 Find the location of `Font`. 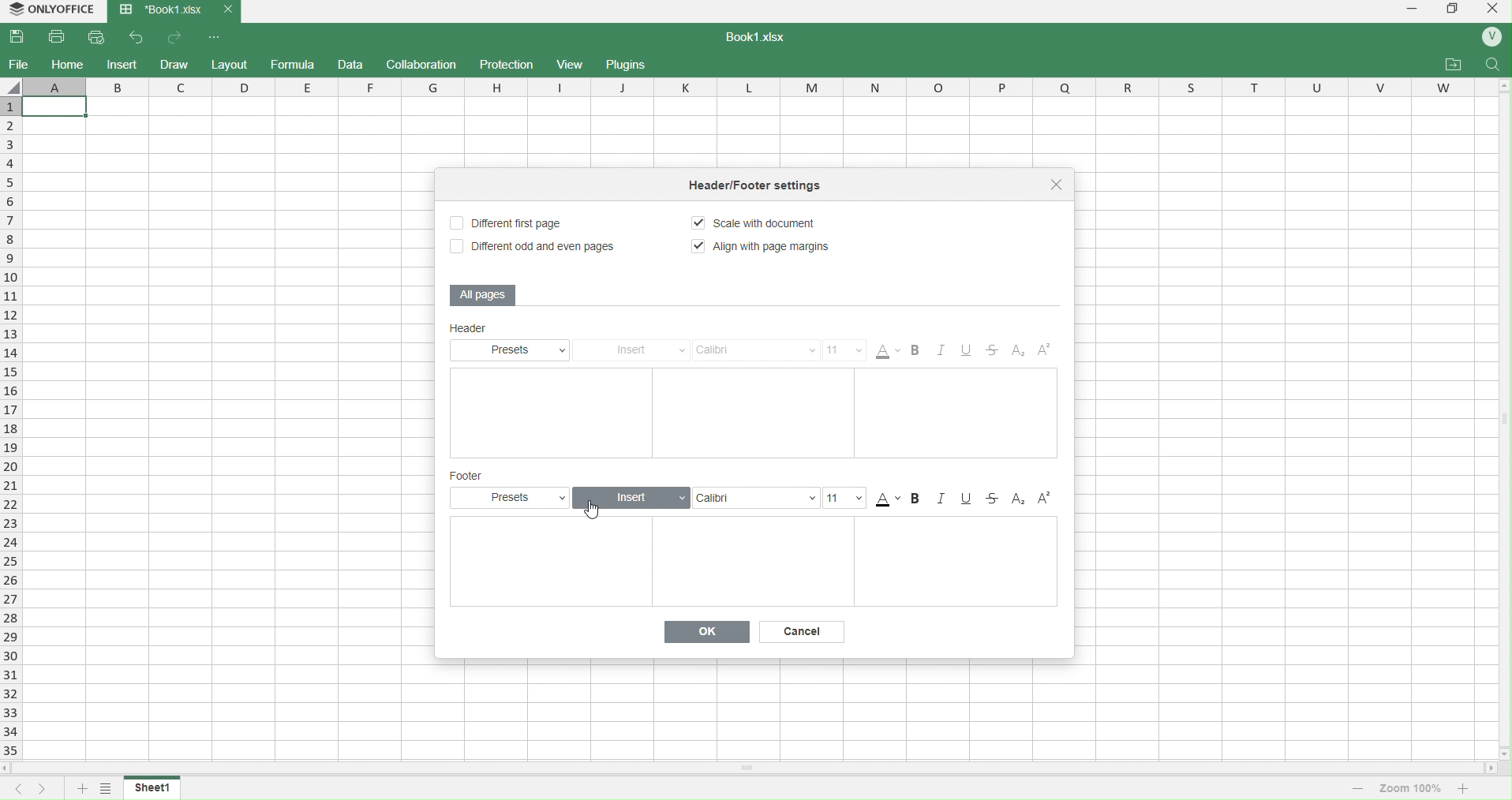

Font is located at coordinates (754, 497).